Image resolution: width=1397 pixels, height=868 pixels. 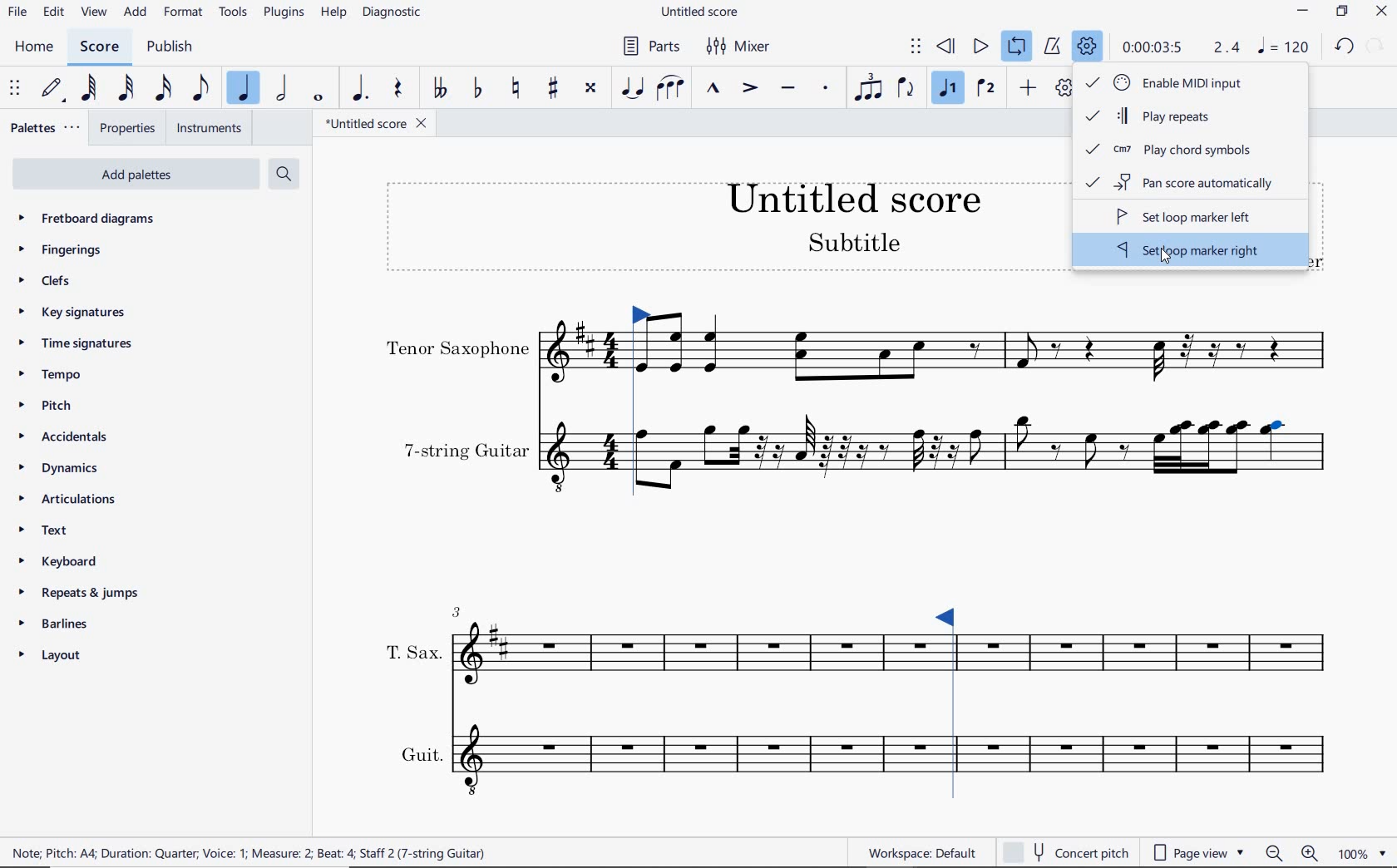 What do you see at coordinates (1016, 45) in the screenshot?
I see `LOOP PLAYBACK` at bounding box center [1016, 45].